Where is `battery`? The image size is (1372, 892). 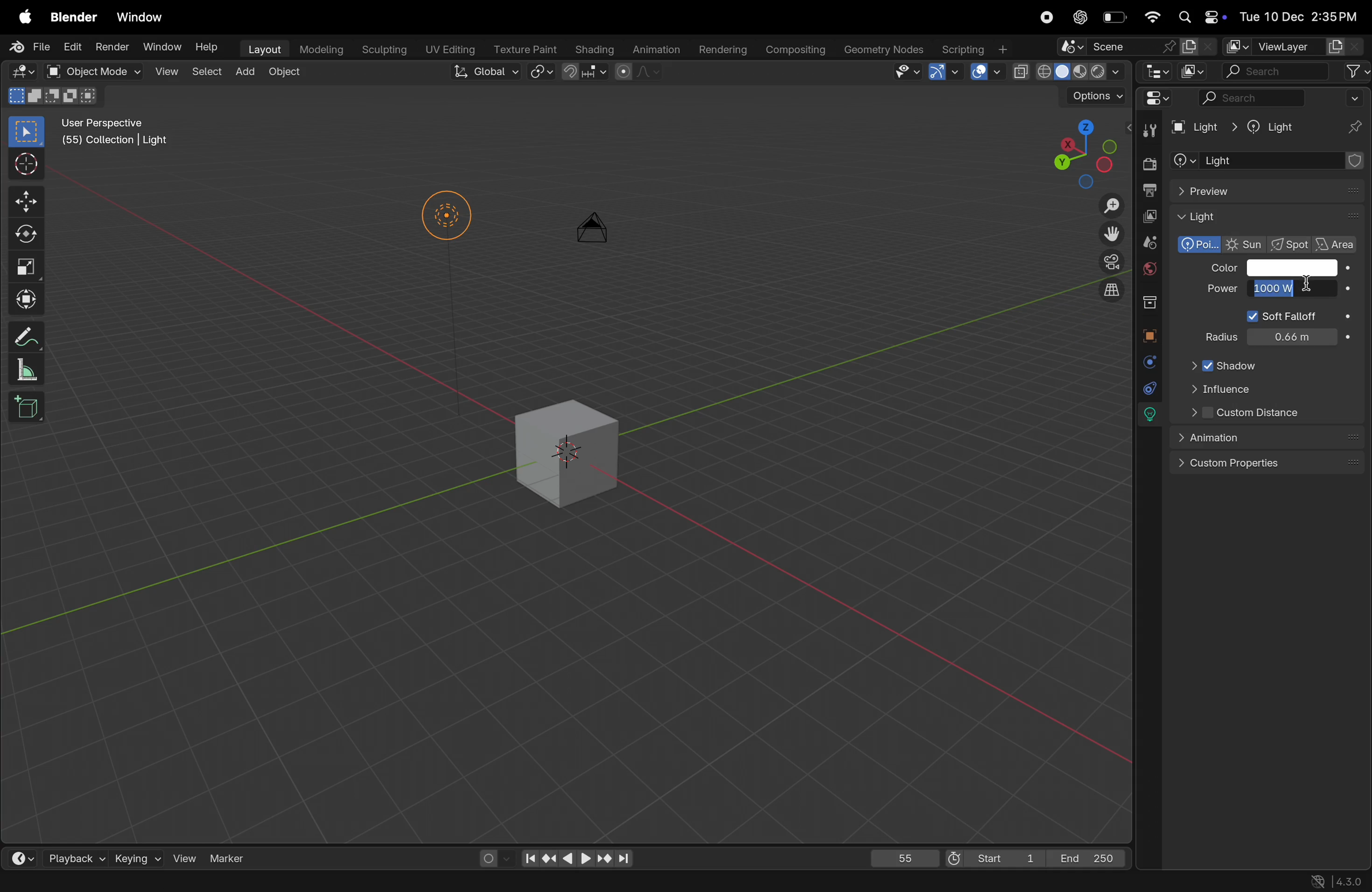
battery is located at coordinates (1115, 16).